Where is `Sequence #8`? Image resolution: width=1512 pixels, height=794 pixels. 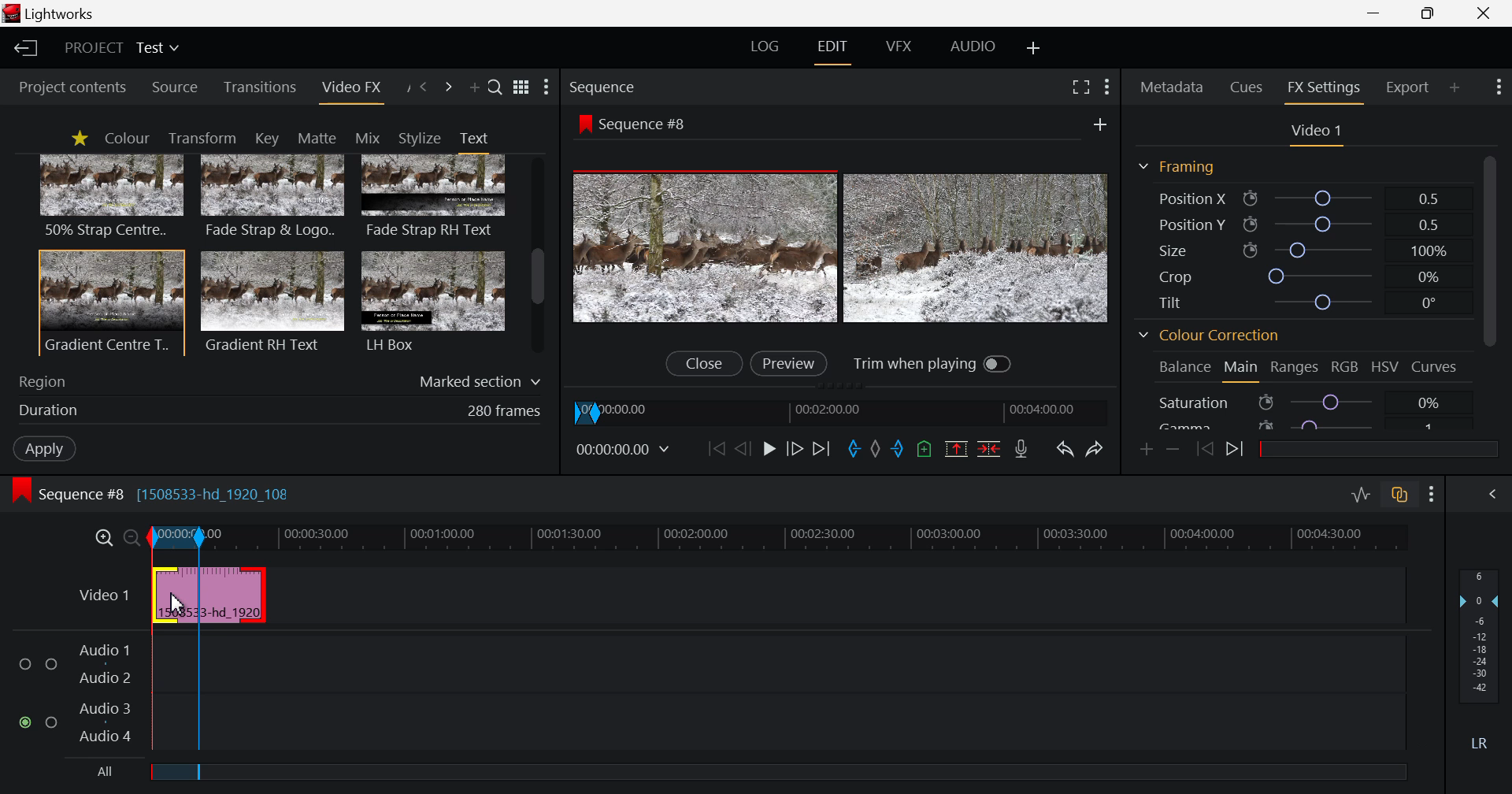
Sequence #8 is located at coordinates (639, 122).